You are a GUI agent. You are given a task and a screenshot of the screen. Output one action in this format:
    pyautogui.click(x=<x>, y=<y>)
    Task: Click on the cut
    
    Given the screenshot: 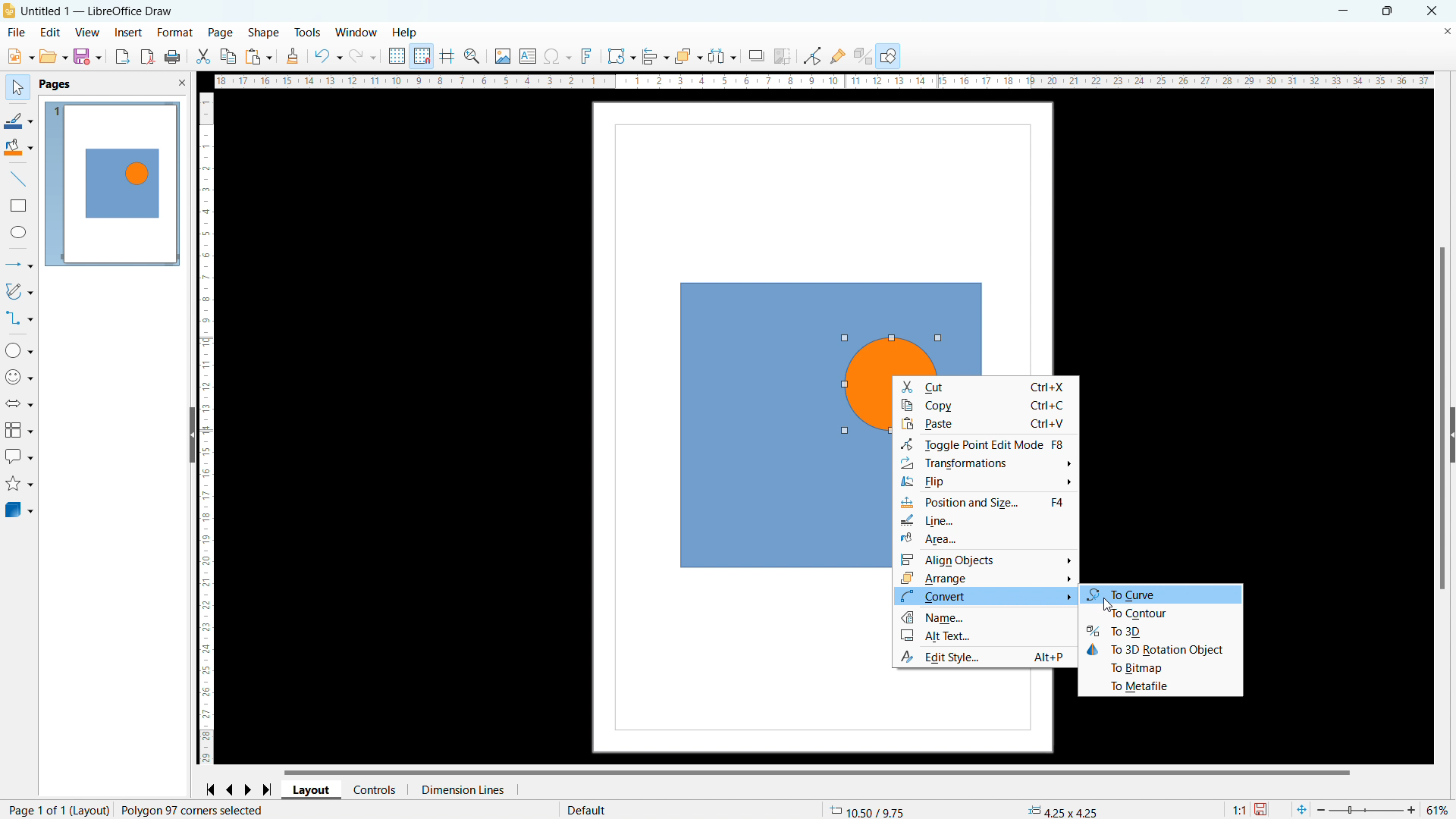 What is the action you would take?
    pyautogui.click(x=990, y=388)
    